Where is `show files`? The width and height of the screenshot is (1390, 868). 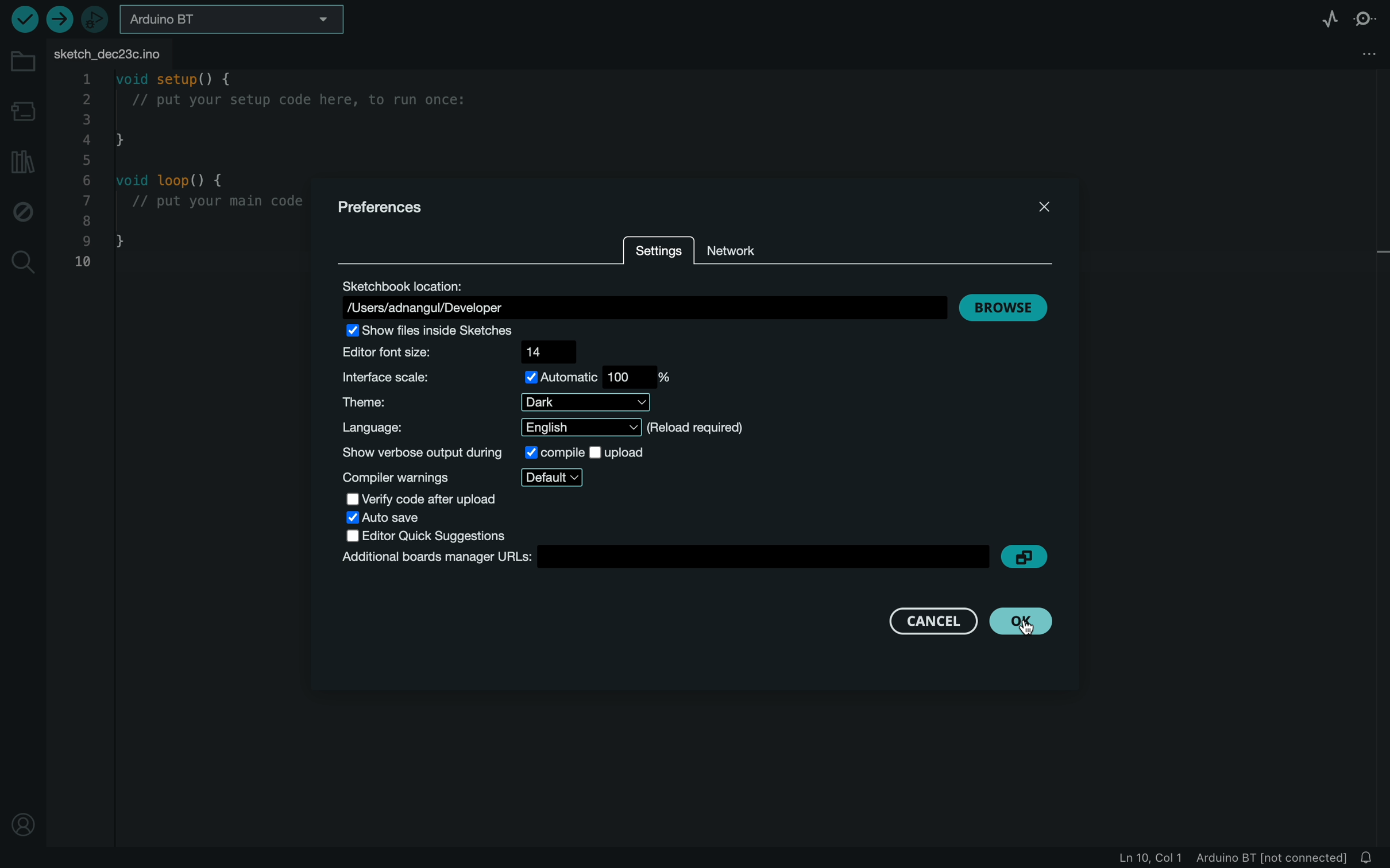
show files is located at coordinates (458, 333).